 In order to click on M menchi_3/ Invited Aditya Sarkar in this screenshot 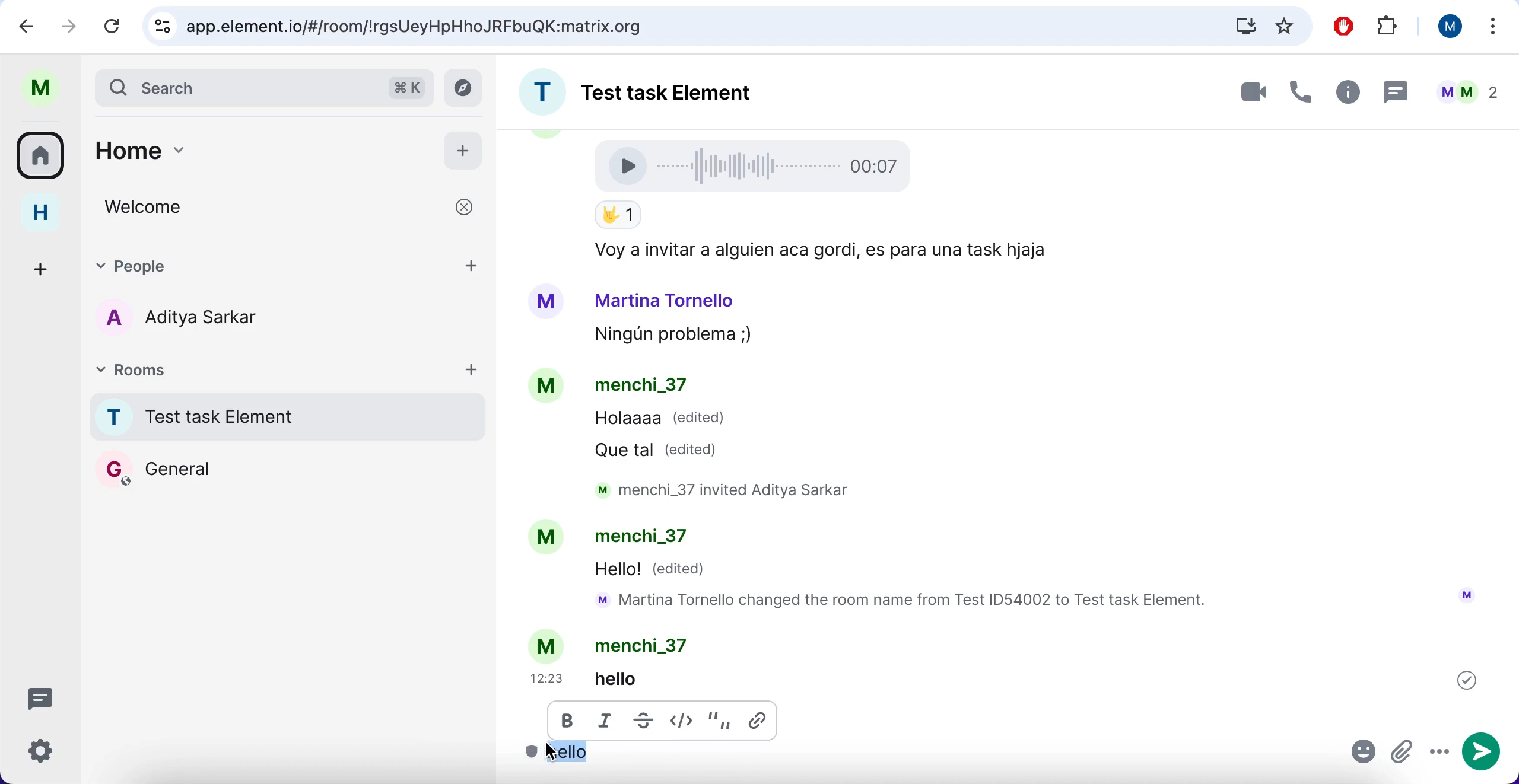, I will do `click(733, 490)`.